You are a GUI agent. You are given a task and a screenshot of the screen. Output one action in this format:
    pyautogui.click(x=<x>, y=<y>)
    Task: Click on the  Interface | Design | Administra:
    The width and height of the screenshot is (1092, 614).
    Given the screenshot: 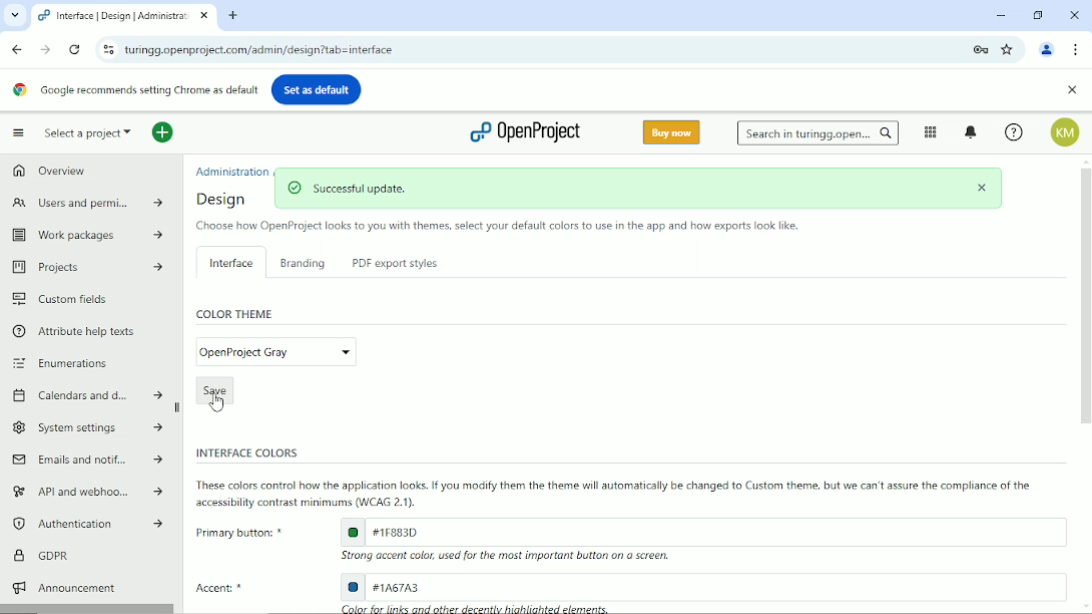 What is the action you would take?
    pyautogui.click(x=111, y=16)
    